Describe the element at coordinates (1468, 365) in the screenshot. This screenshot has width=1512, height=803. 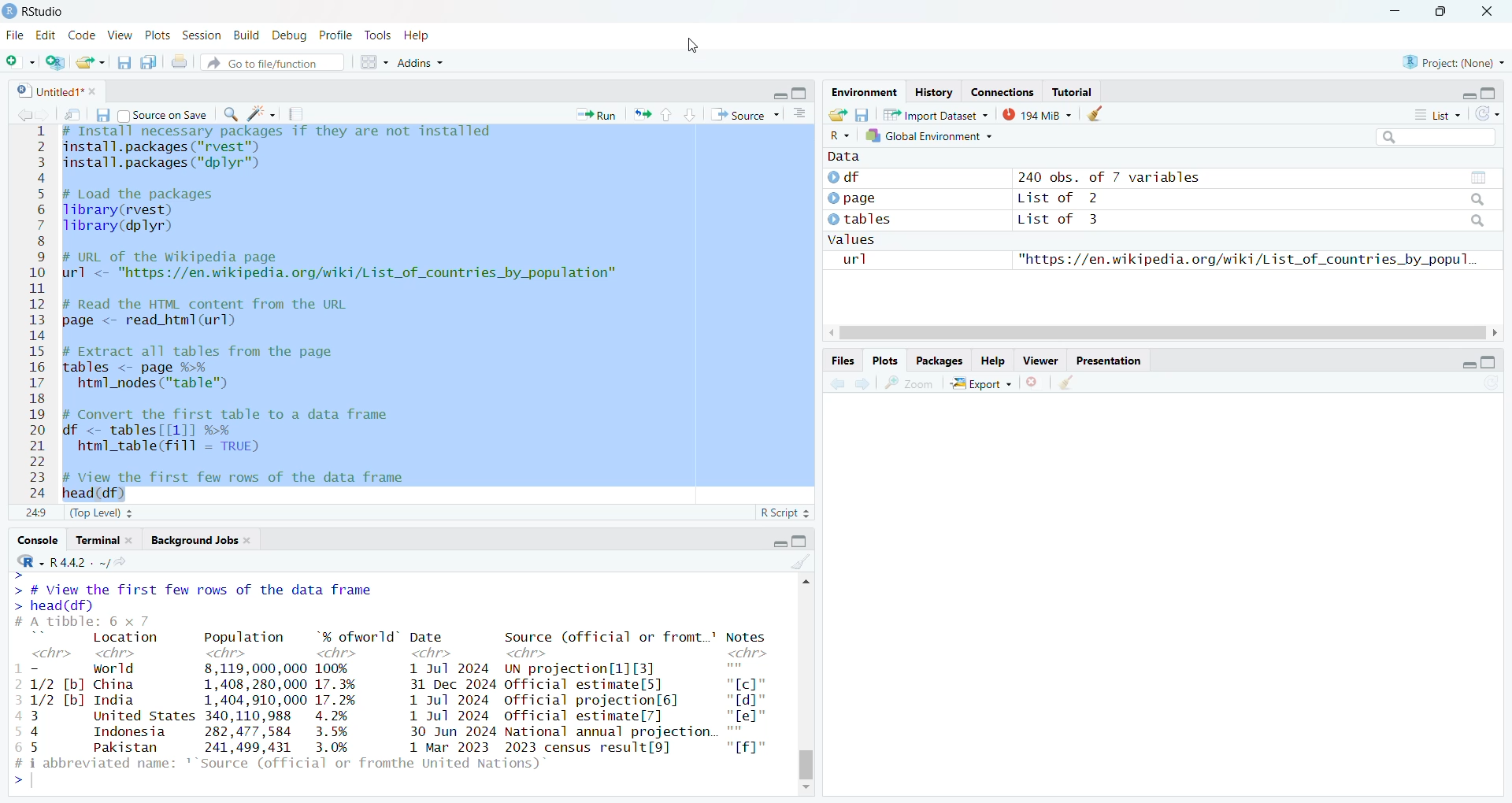
I see `minimize` at that location.